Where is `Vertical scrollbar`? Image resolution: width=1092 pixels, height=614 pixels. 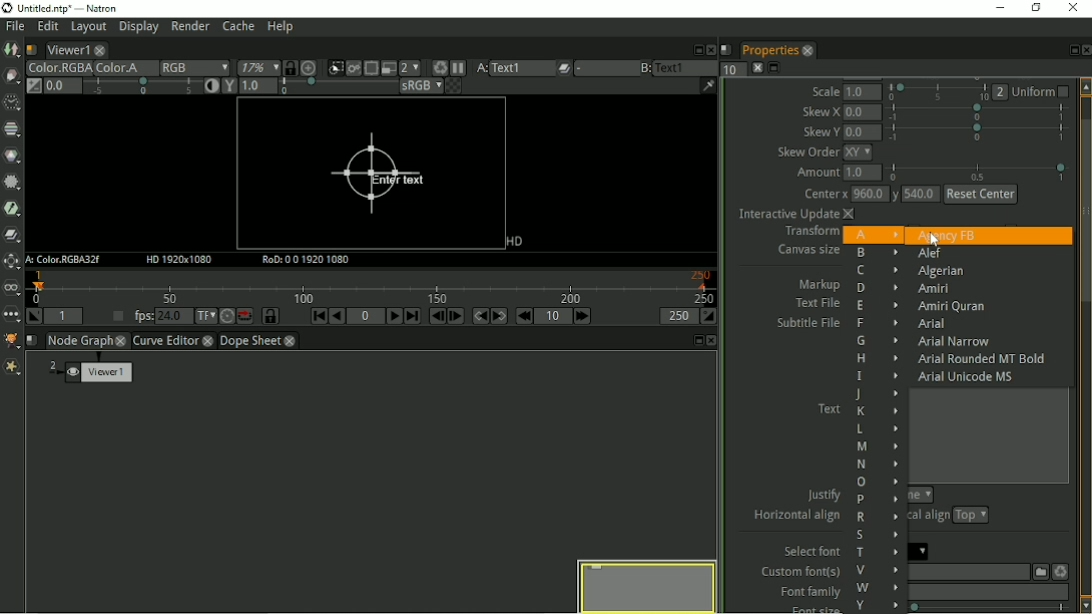
Vertical scrollbar is located at coordinates (1085, 345).